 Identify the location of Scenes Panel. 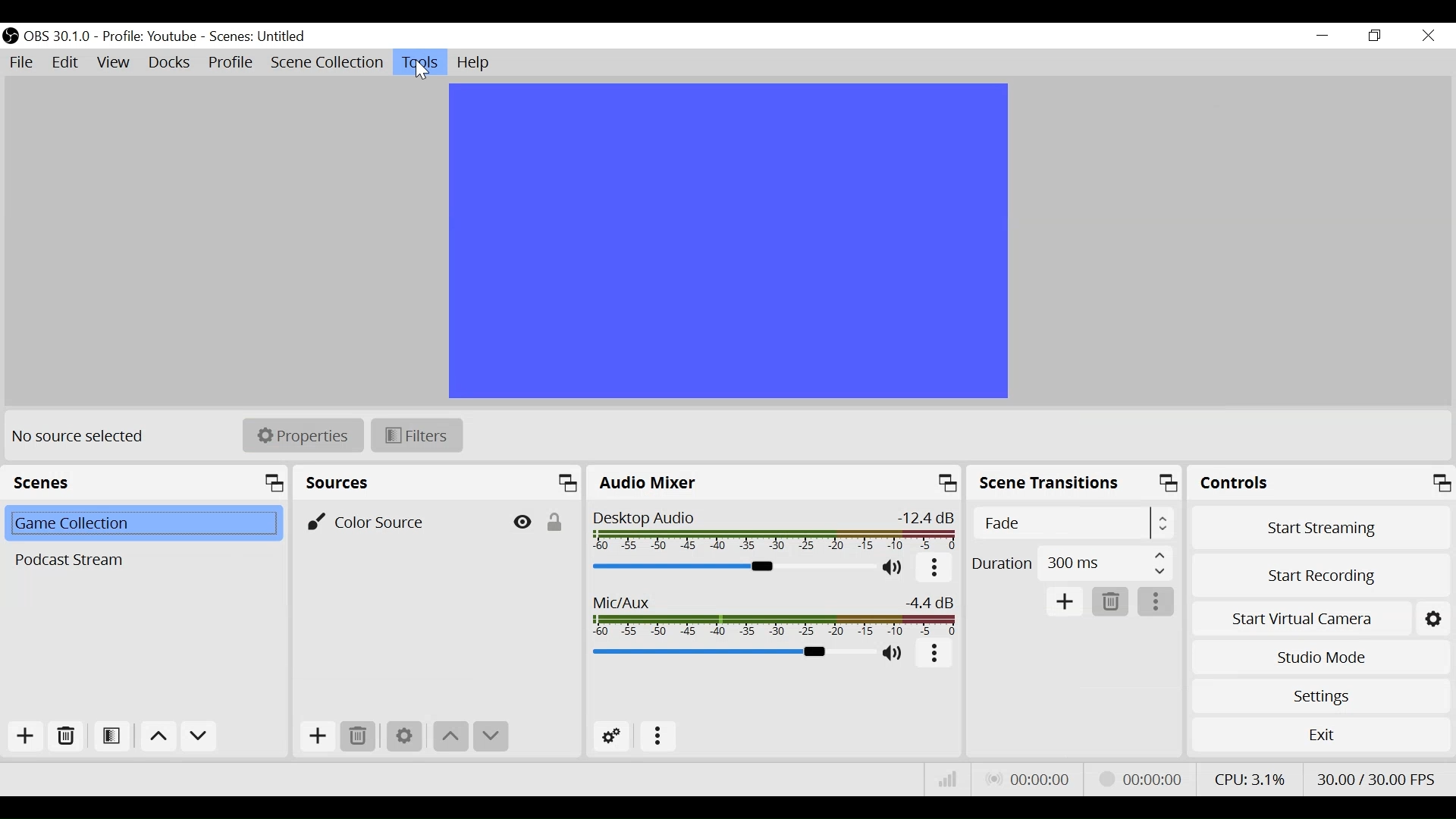
(145, 482).